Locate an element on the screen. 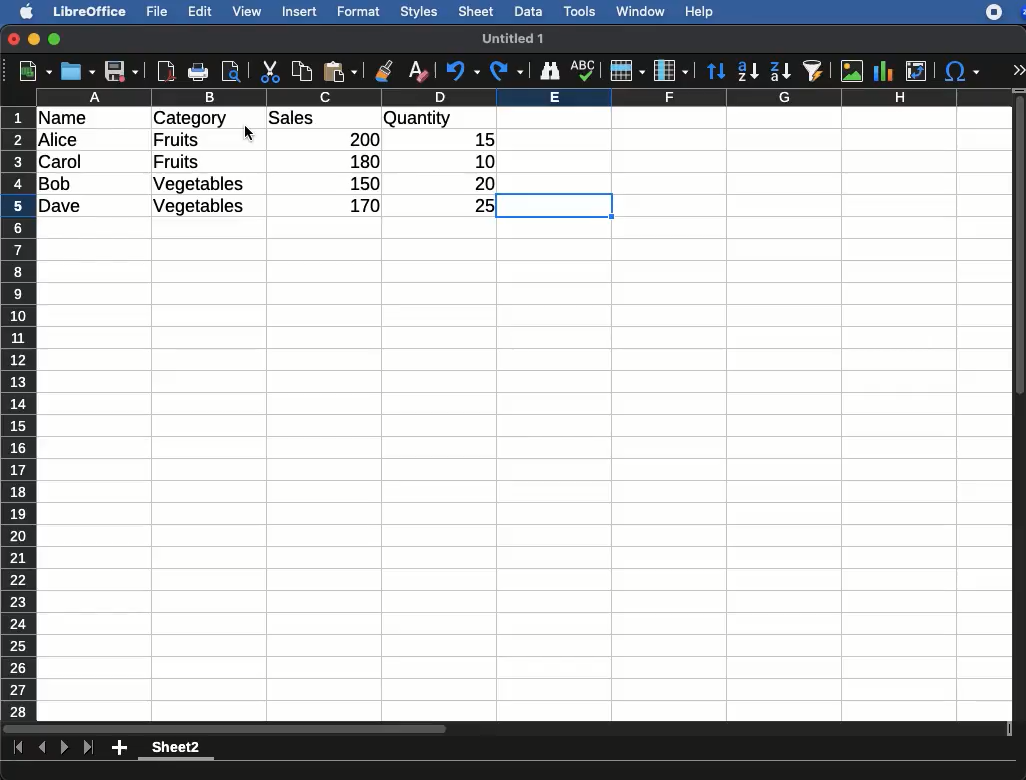  sort is located at coordinates (715, 72).